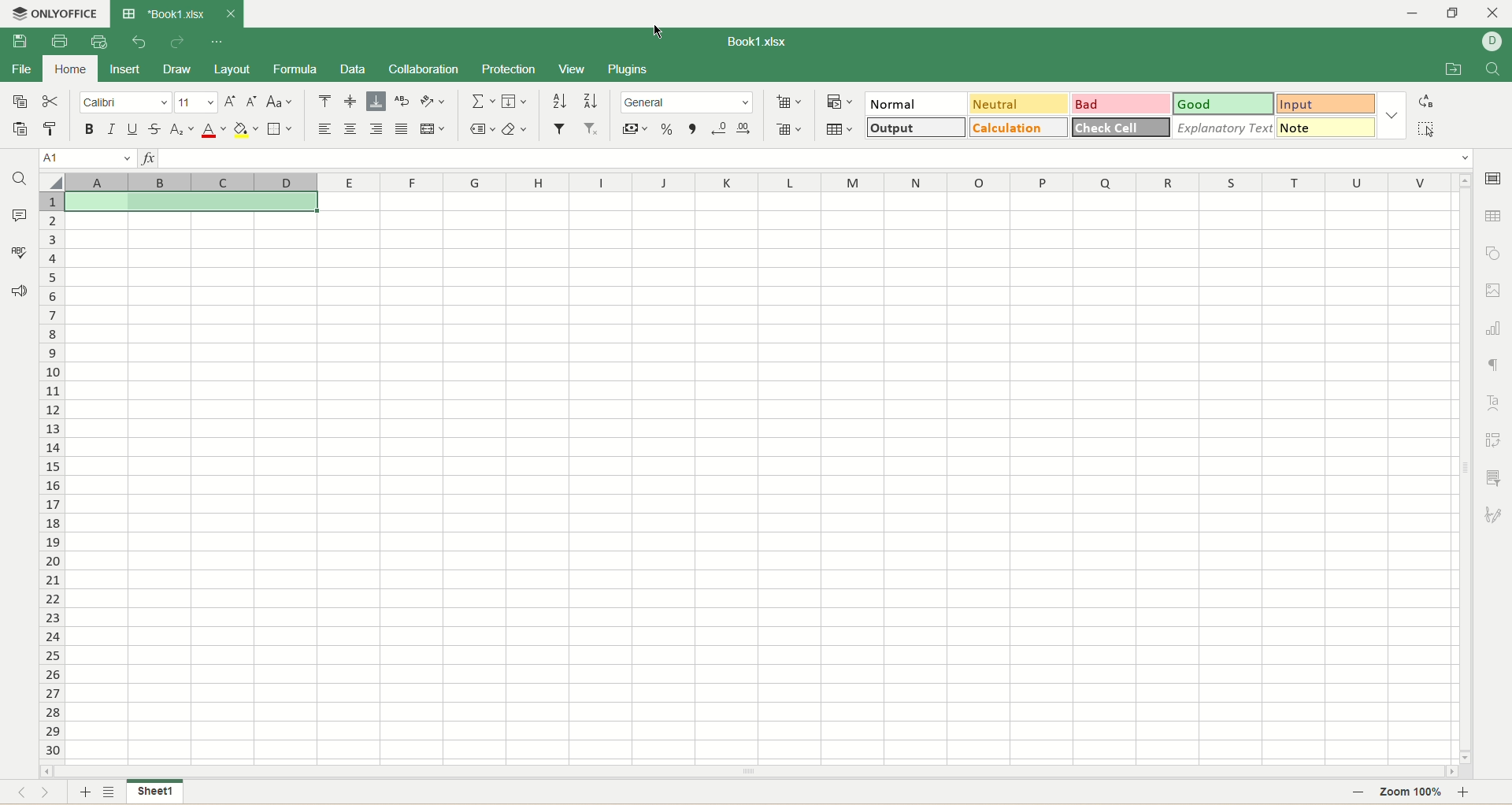 The image size is (1512, 805). Describe the element at coordinates (687, 102) in the screenshot. I see `number format` at that location.